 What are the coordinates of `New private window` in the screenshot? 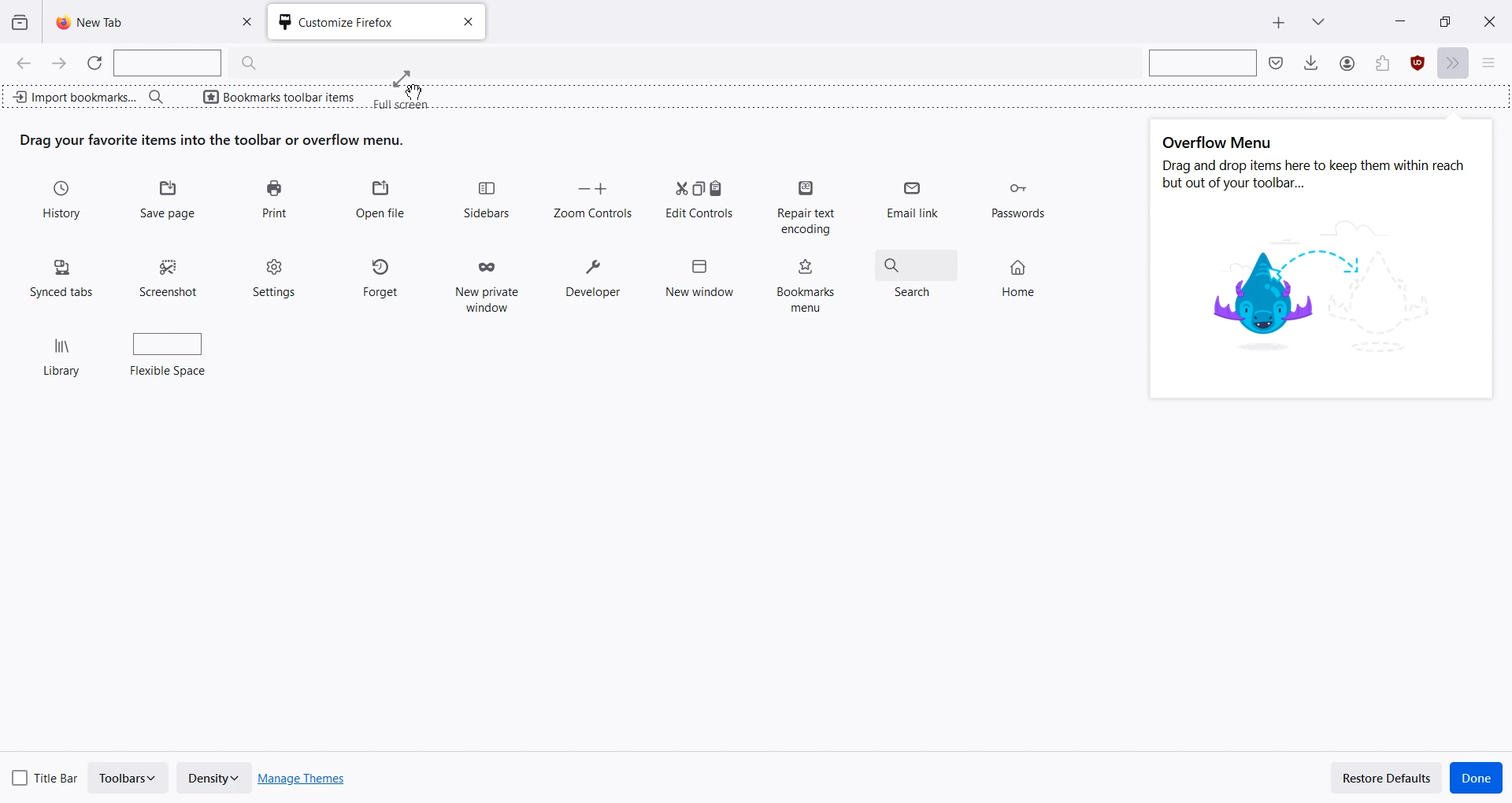 It's located at (485, 281).